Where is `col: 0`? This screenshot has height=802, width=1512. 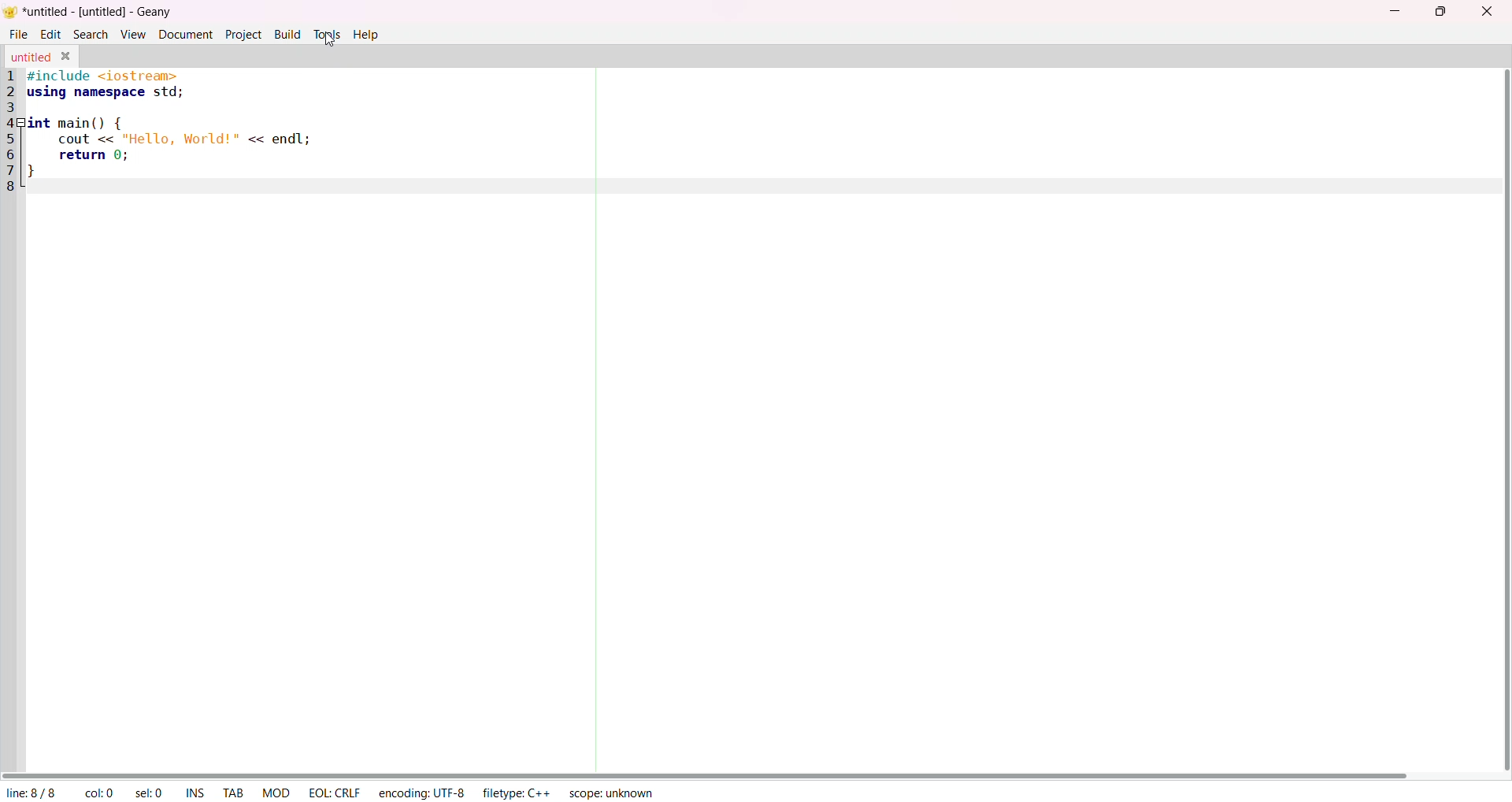
col: 0 is located at coordinates (100, 792).